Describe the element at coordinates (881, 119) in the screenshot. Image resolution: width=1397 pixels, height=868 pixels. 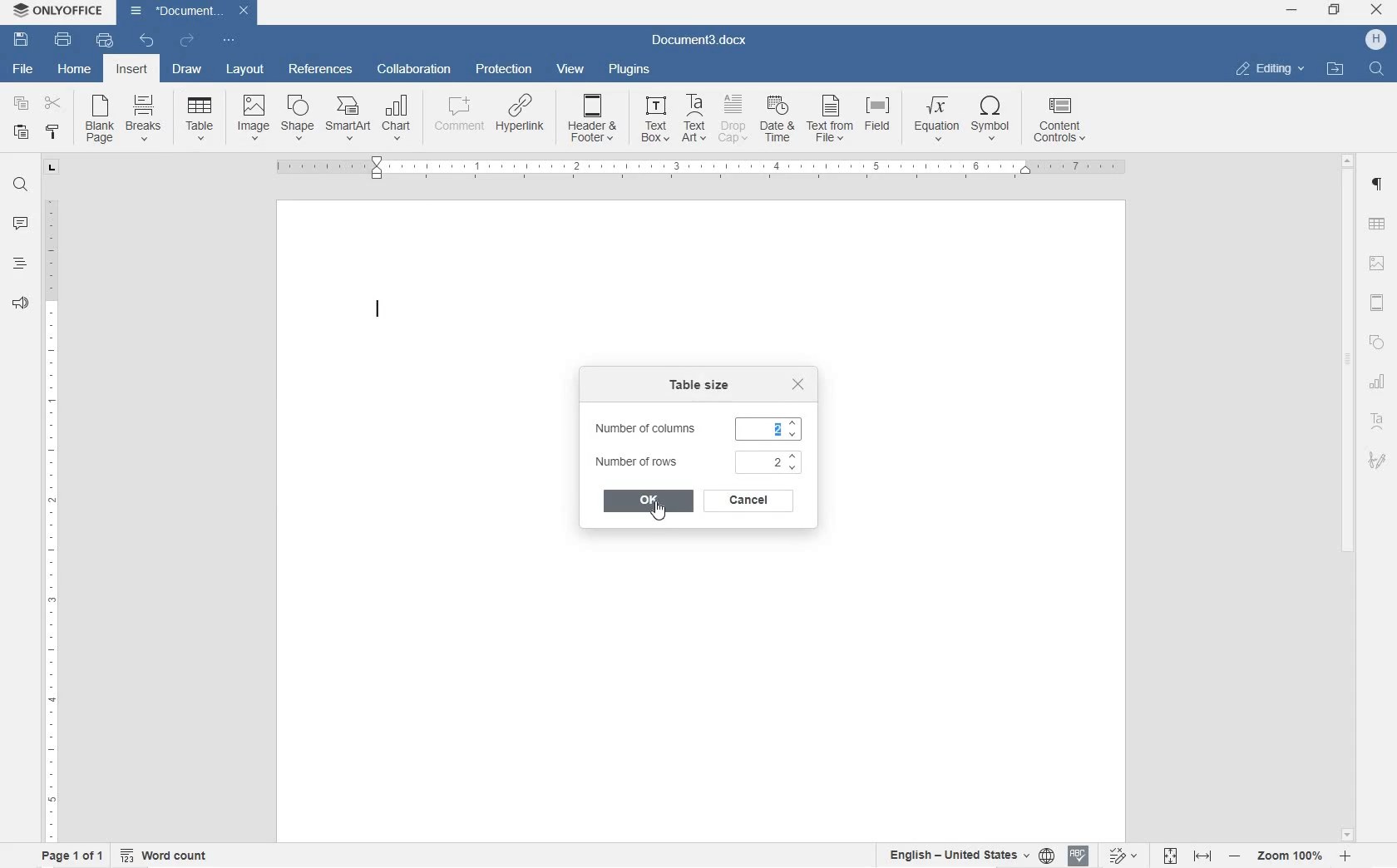
I see `Field` at that location.